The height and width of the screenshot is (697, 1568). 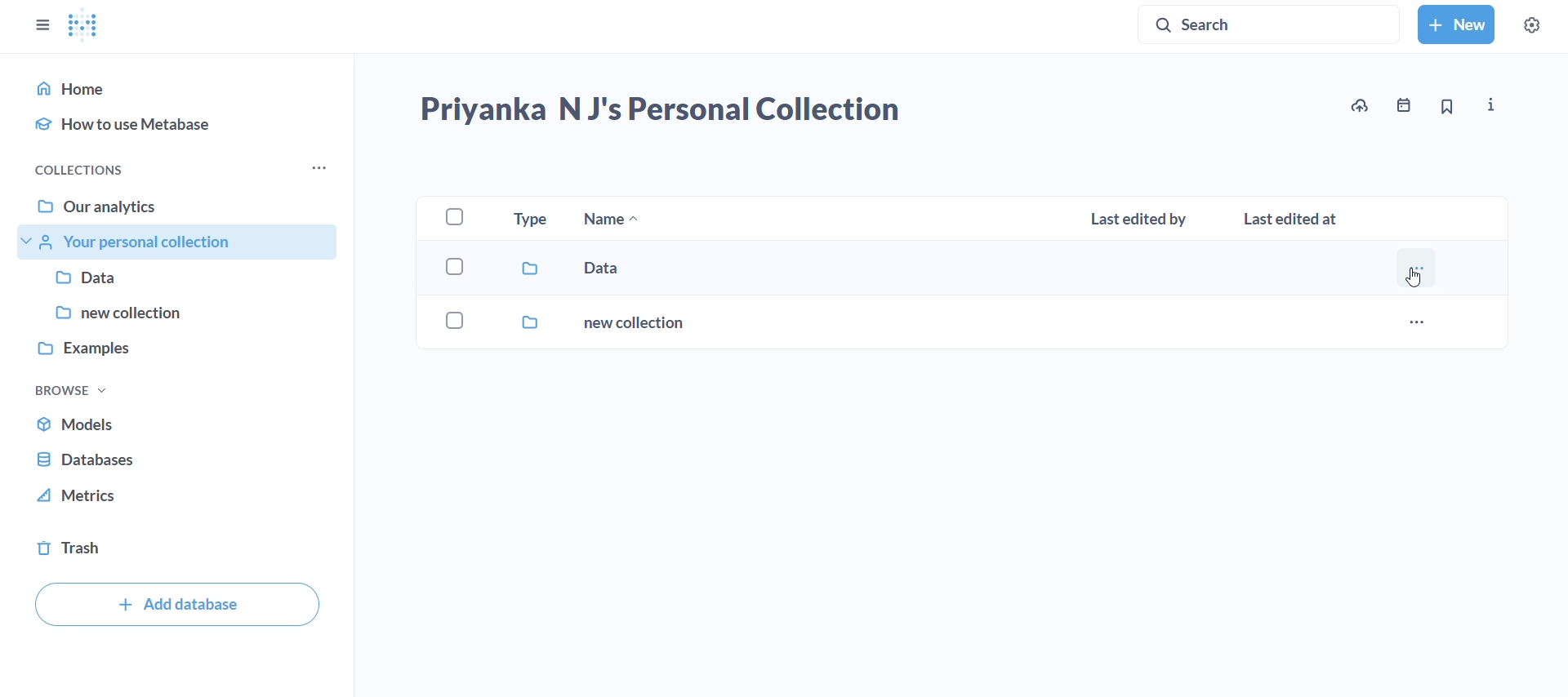 What do you see at coordinates (1416, 268) in the screenshot?
I see `more` at bounding box center [1416, 268].